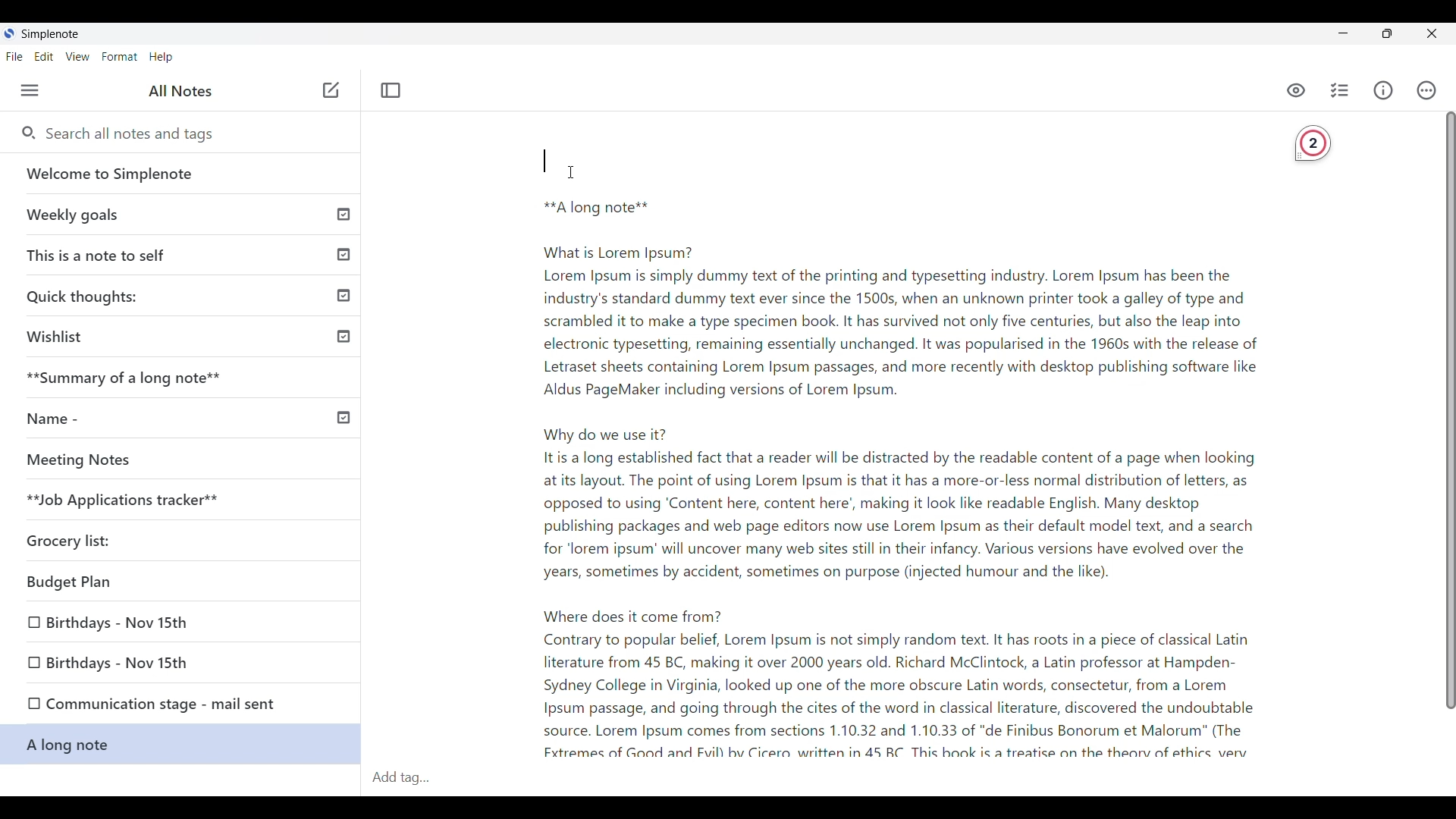  What do you see at coordinates (14, 56) in the screenshot?
I see `File` at bounding box center [14, 56].